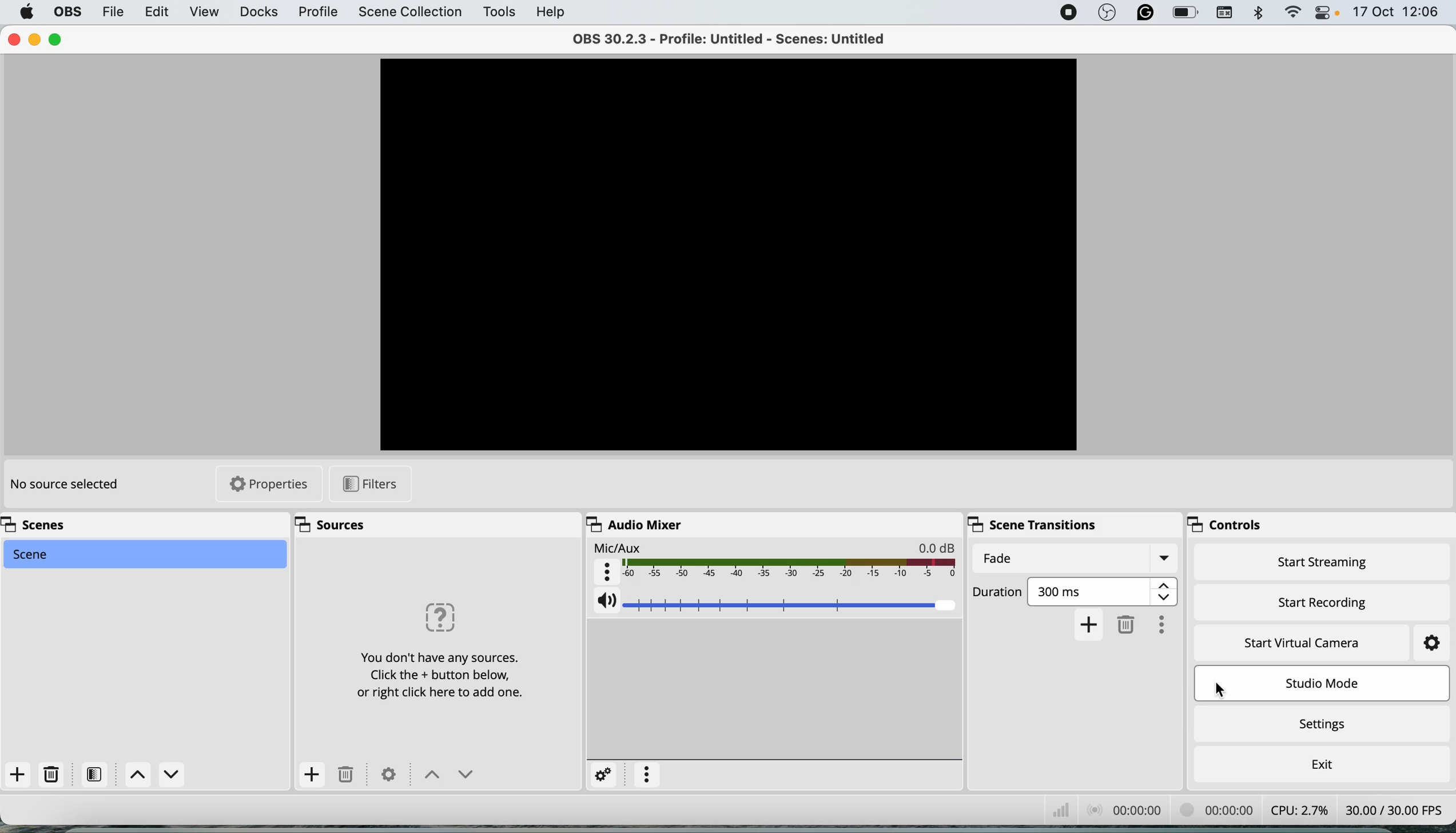 The width and height of the screenshot is (1456, 833). What do you see at coordinates (14, 40) in the screenshot?
I see `close` at bounding box center [14, 40].